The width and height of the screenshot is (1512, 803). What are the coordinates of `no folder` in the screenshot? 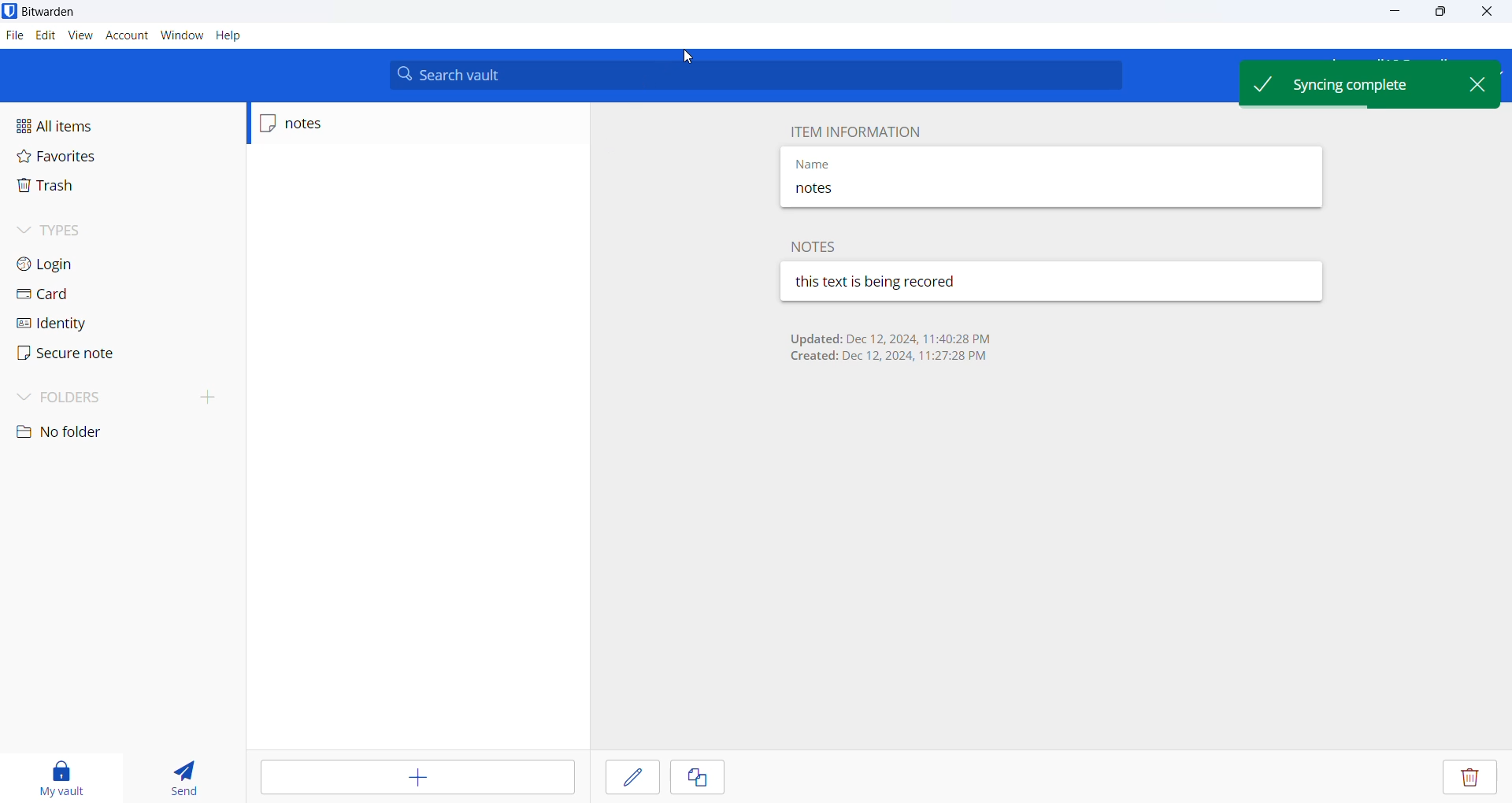 It's located at (76, 432).